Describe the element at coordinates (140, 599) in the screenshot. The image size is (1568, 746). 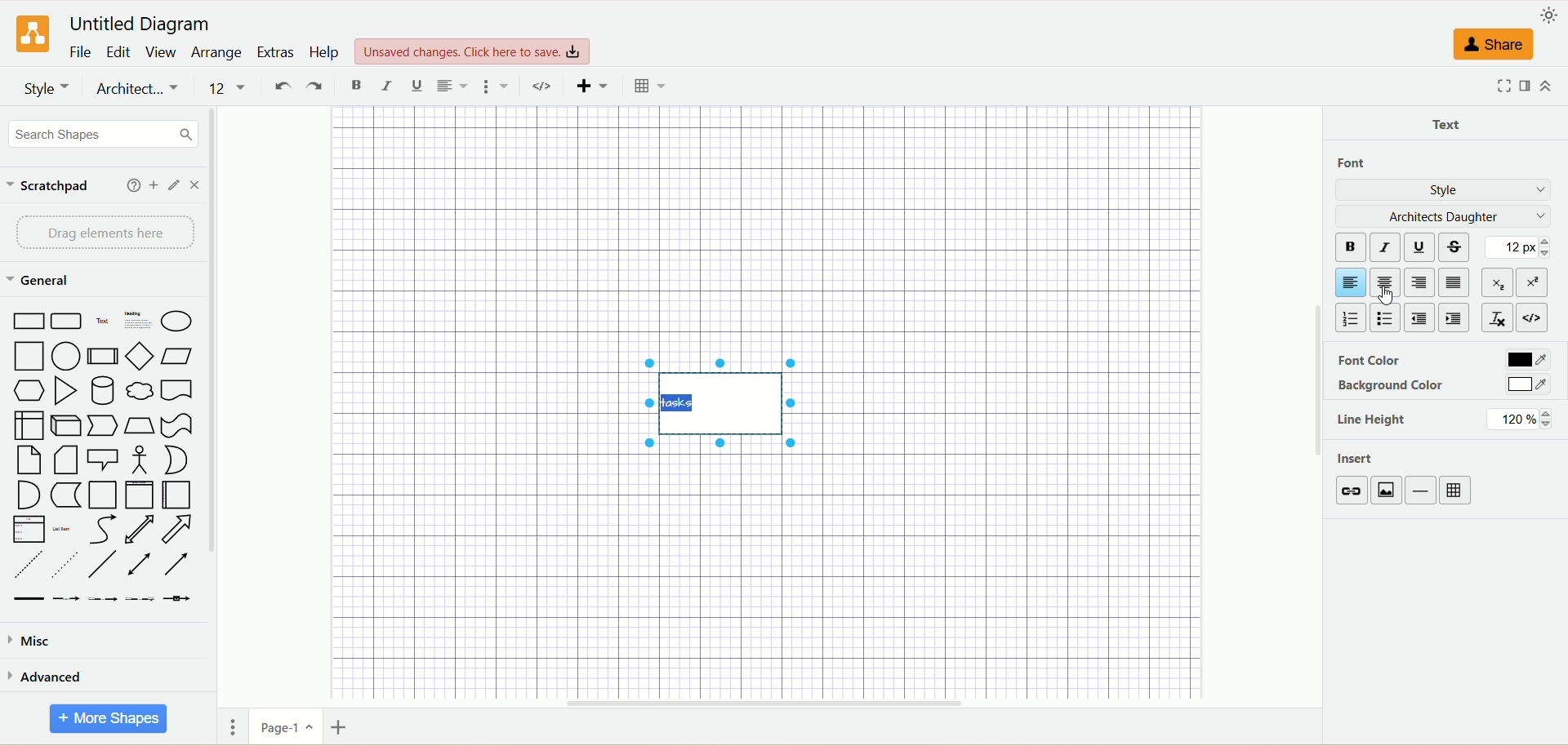
I see `Arrow with Triple Break` at that location.